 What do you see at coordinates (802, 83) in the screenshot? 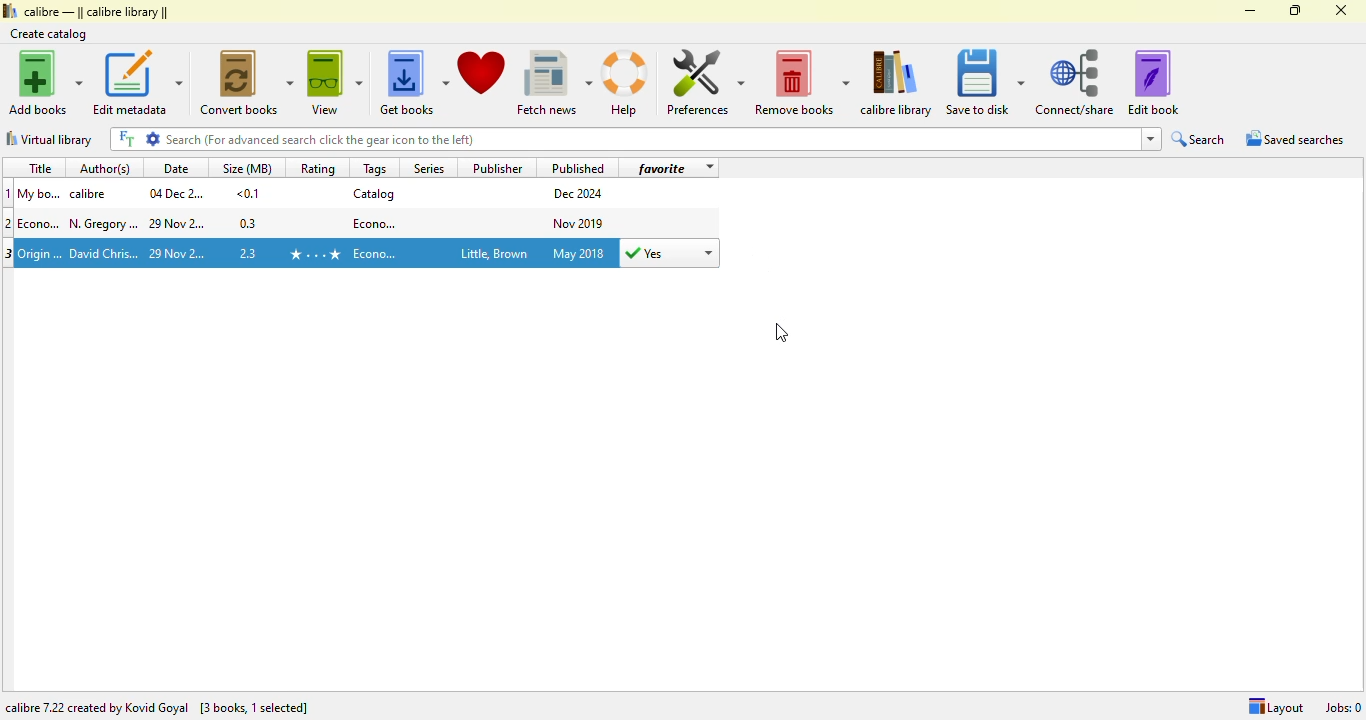
I see `remove books` at bounding box center [802, 83].